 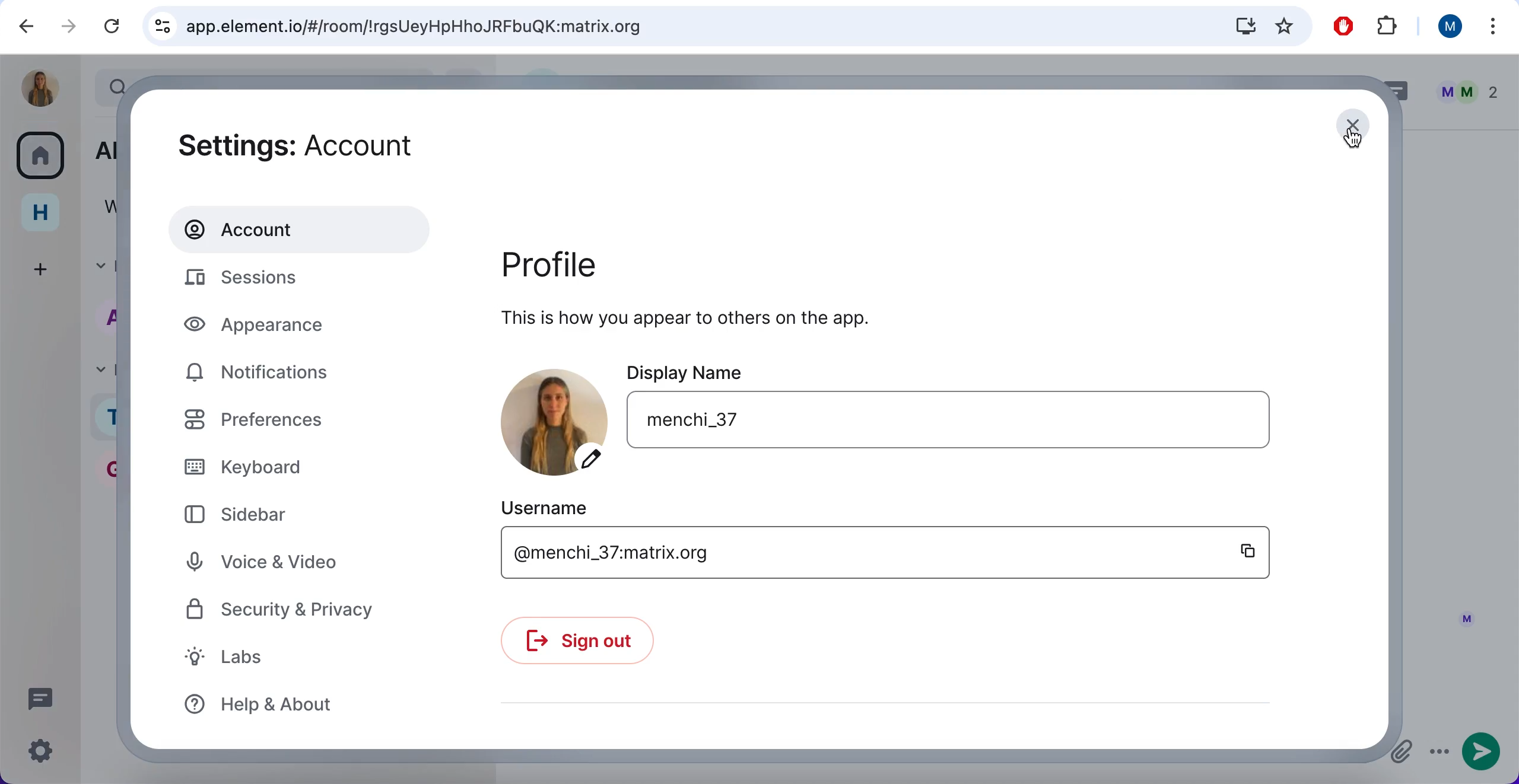 I want to click on backward, so click(x=21, y=27).